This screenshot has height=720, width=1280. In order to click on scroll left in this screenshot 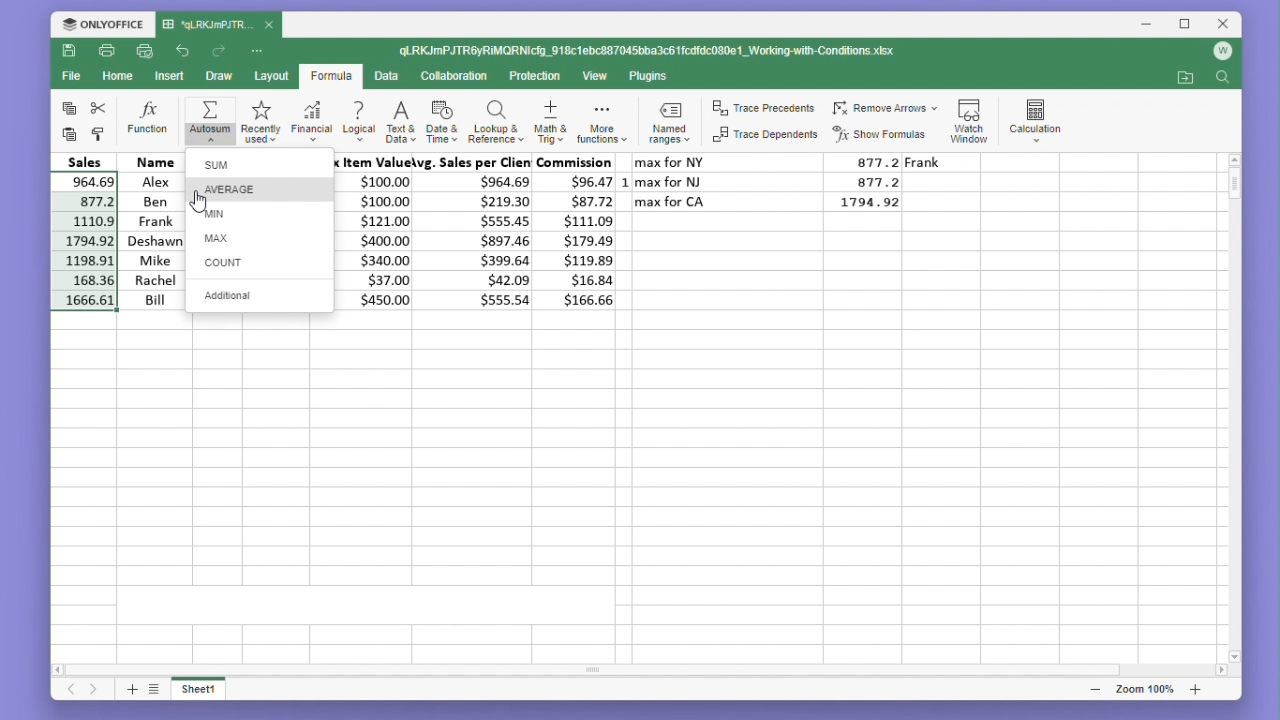, I will do `click(61, 672)`.